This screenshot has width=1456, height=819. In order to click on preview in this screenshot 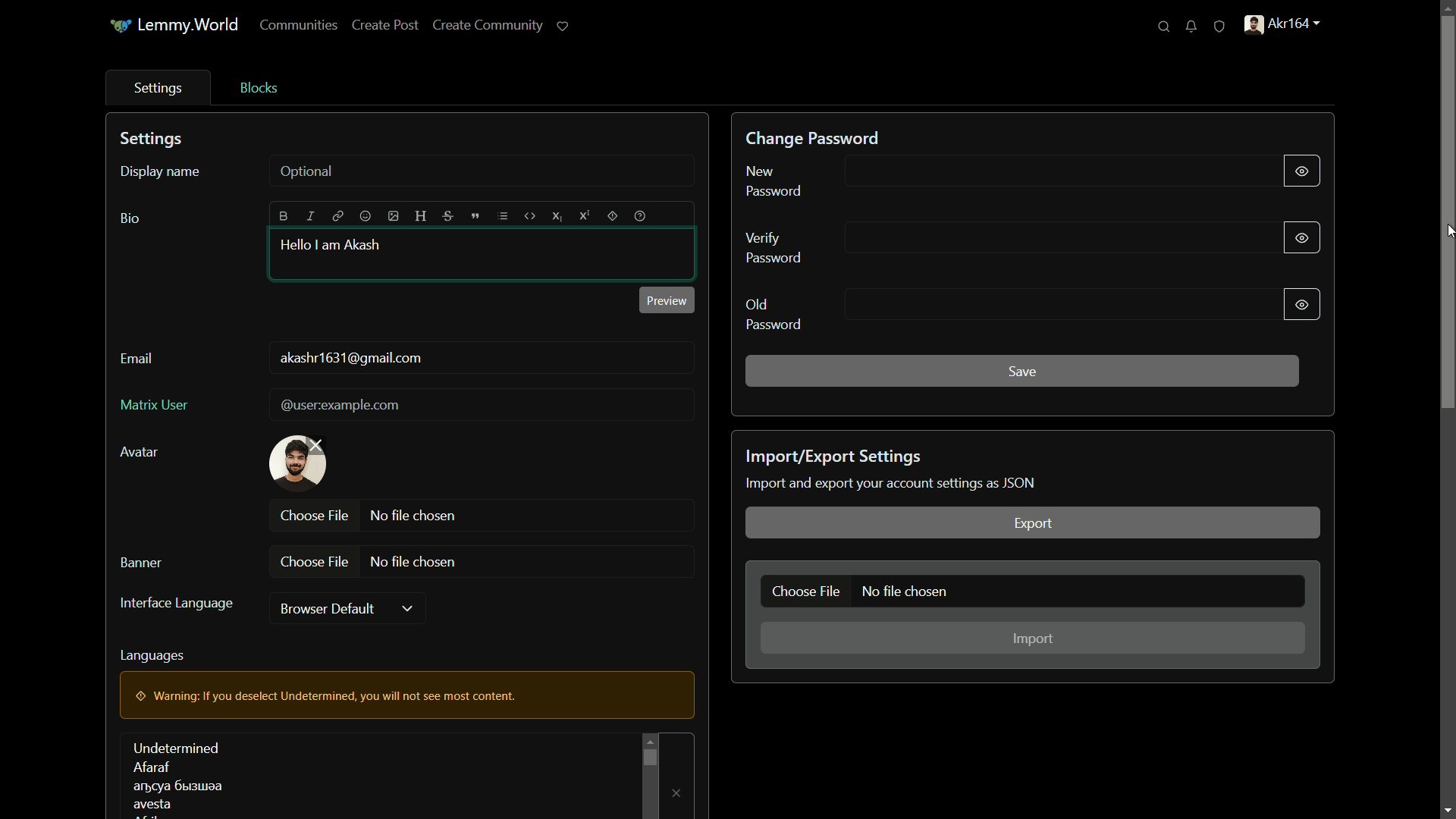, I will do `click(667, 300)`.